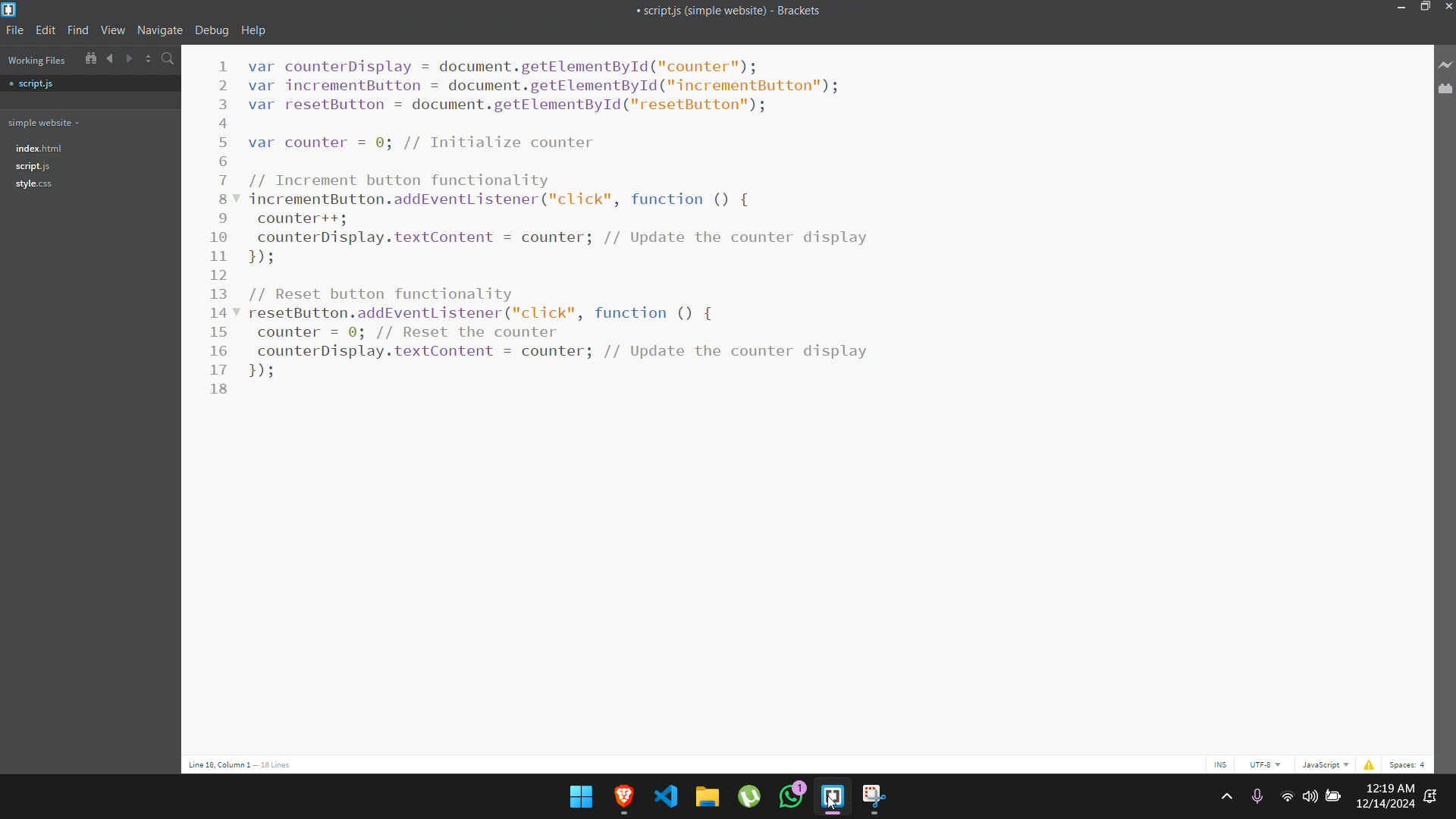 Image resolution: width=1456 pixels, height=819 pixels. Describe the element at coordinates (36, 147) in the screenshot. I see `index.html ` at that location.